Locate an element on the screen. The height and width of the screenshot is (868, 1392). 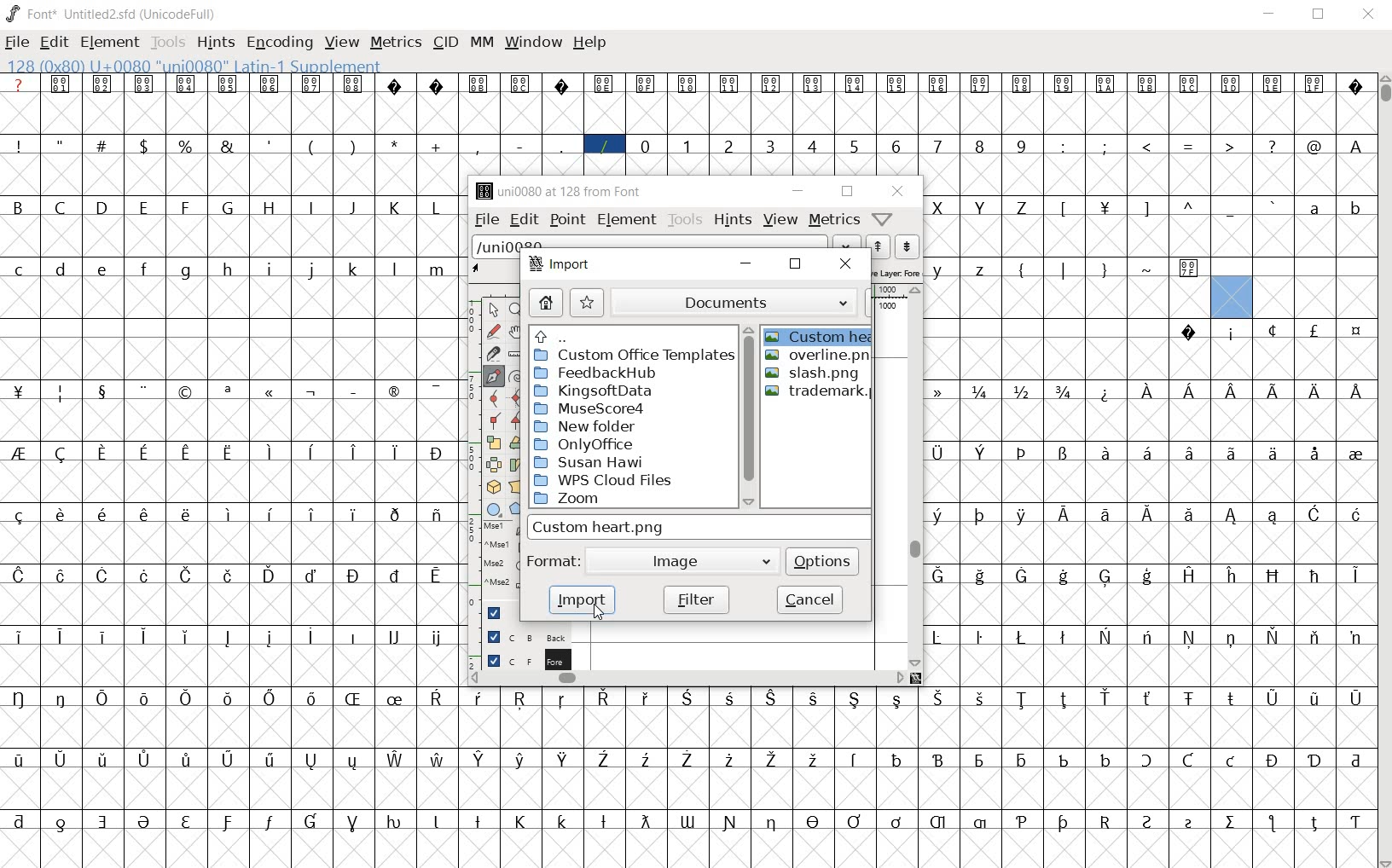
glyph is located at coordinates (311, 148).